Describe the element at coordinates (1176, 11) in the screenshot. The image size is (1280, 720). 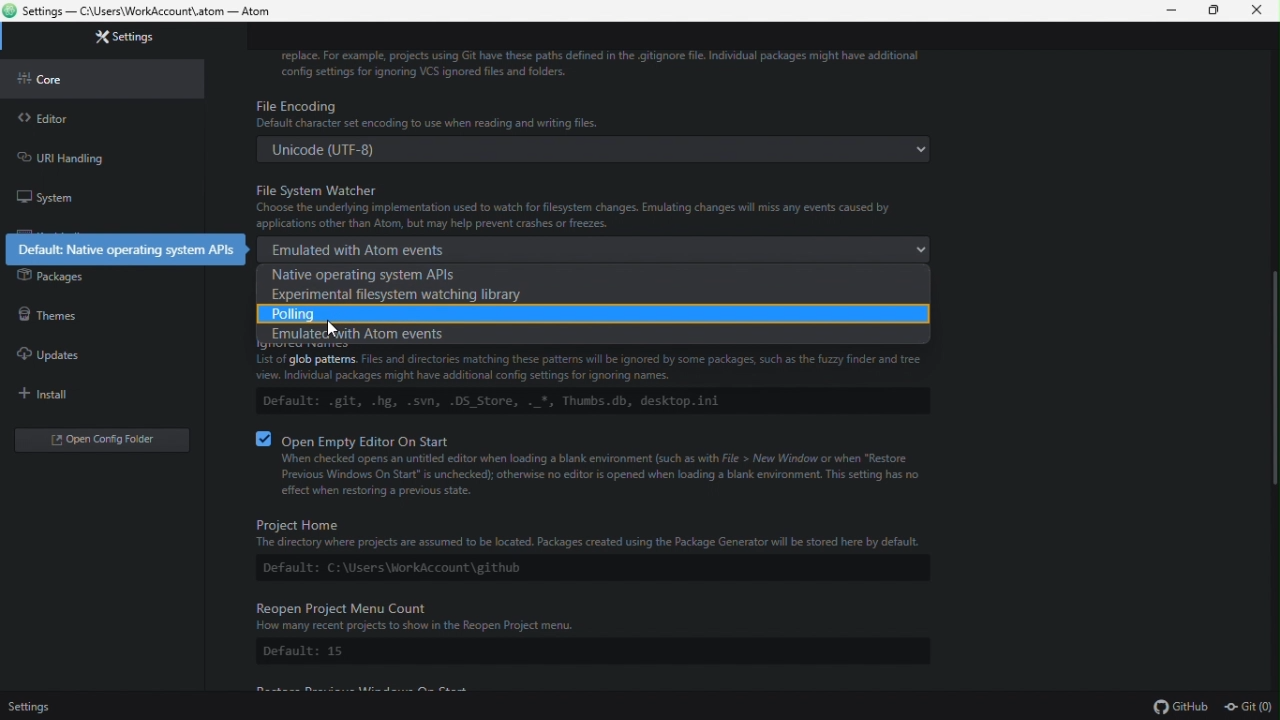
I see `minimize` at that location.